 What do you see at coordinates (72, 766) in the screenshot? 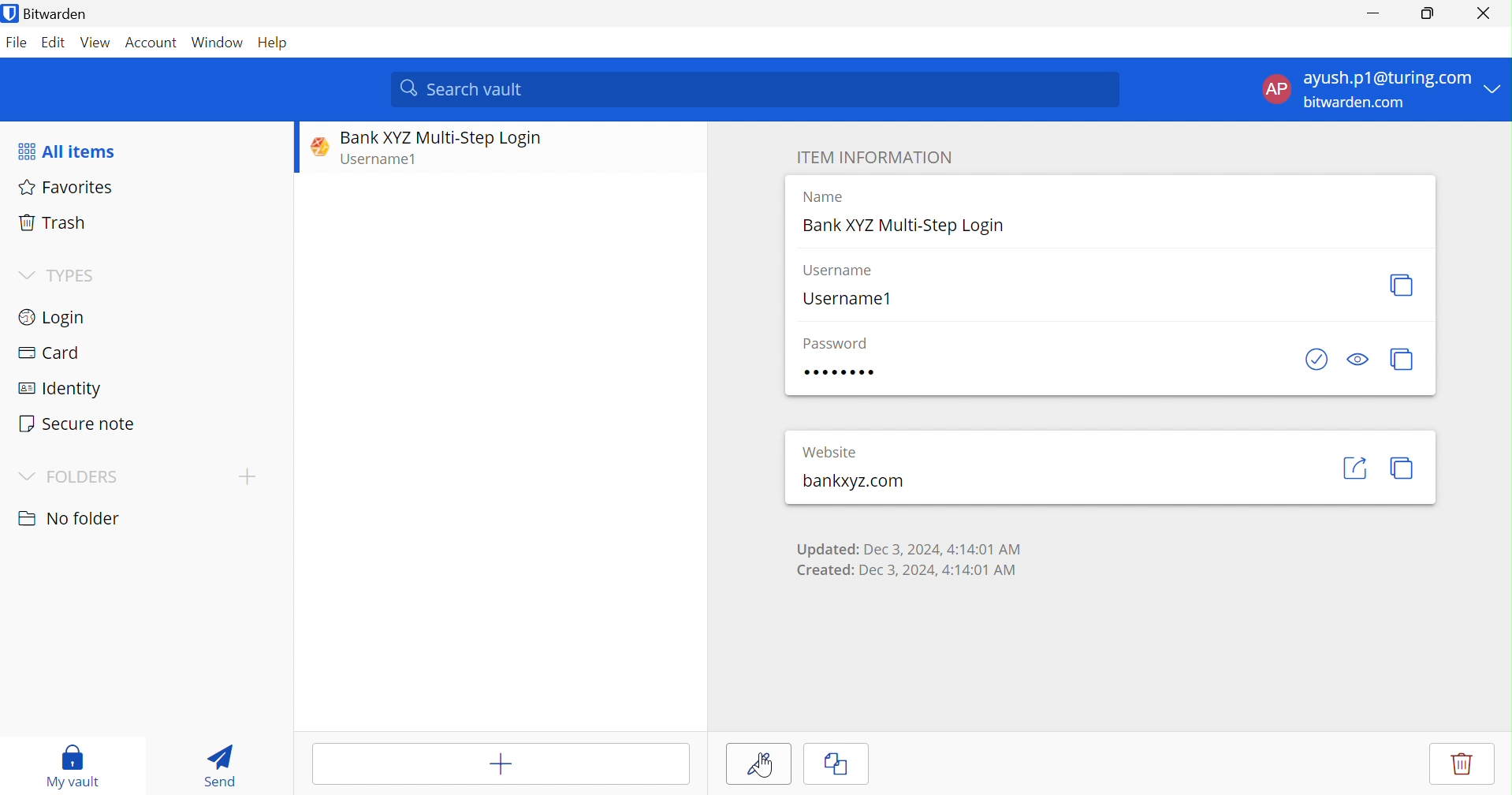
I see `My vault` at bounding box center [72, 766].